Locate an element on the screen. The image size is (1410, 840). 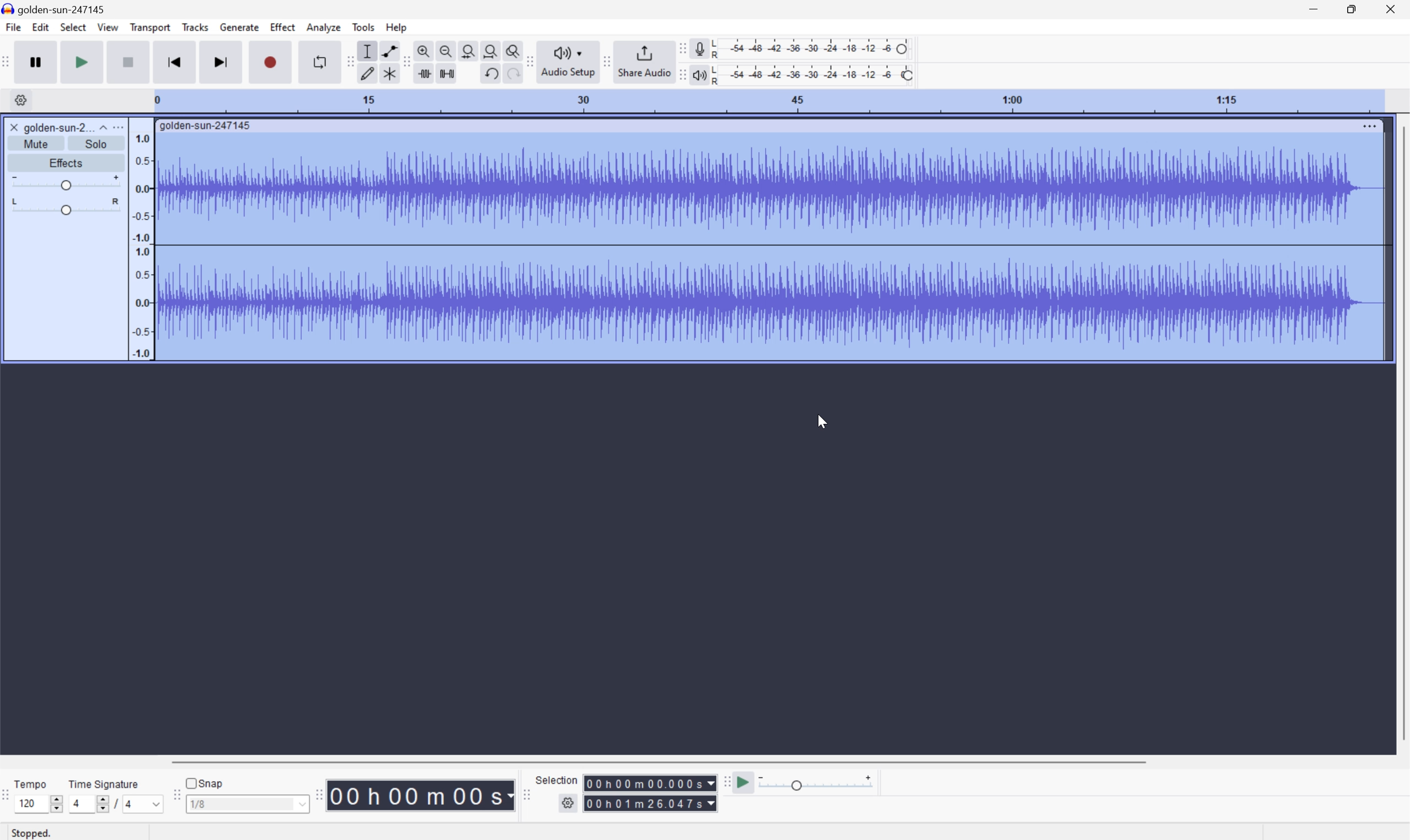
Playback speed: 1.000 x is located at coordinates (818, 781).